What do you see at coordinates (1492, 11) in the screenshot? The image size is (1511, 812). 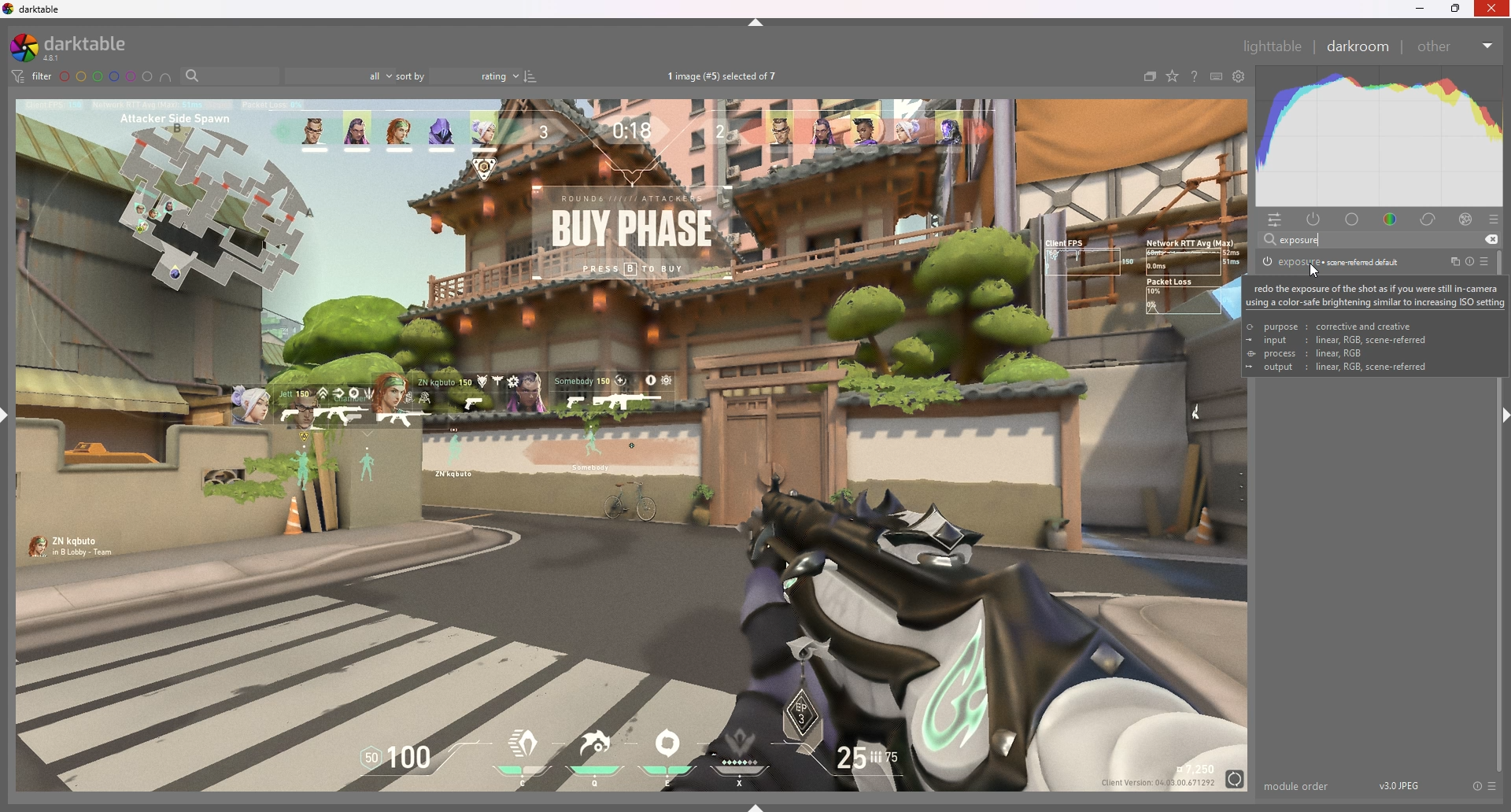 I see `` at bounding box center [1492, 11].